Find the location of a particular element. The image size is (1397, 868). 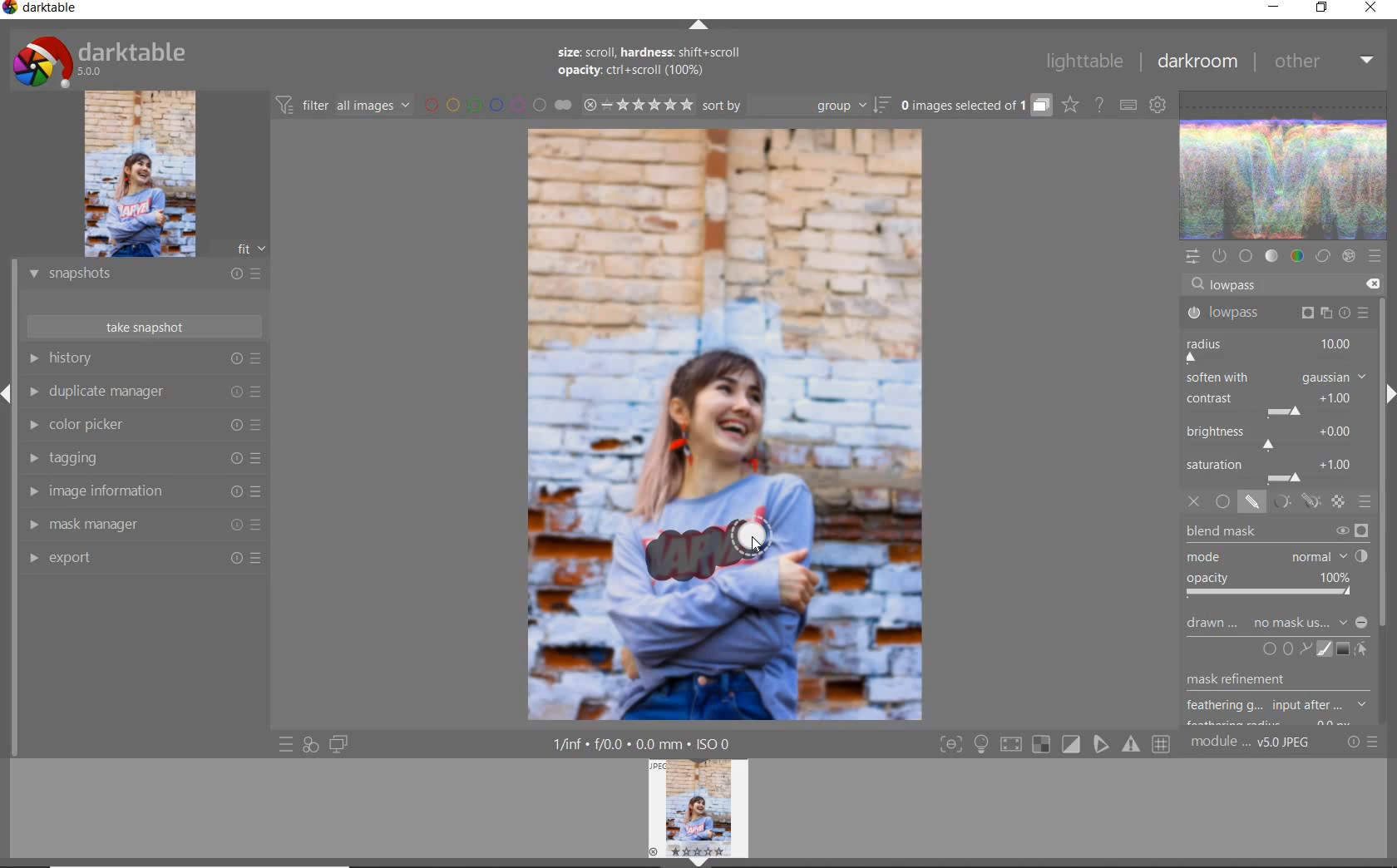

correct is located at coordinates (1322, 257).